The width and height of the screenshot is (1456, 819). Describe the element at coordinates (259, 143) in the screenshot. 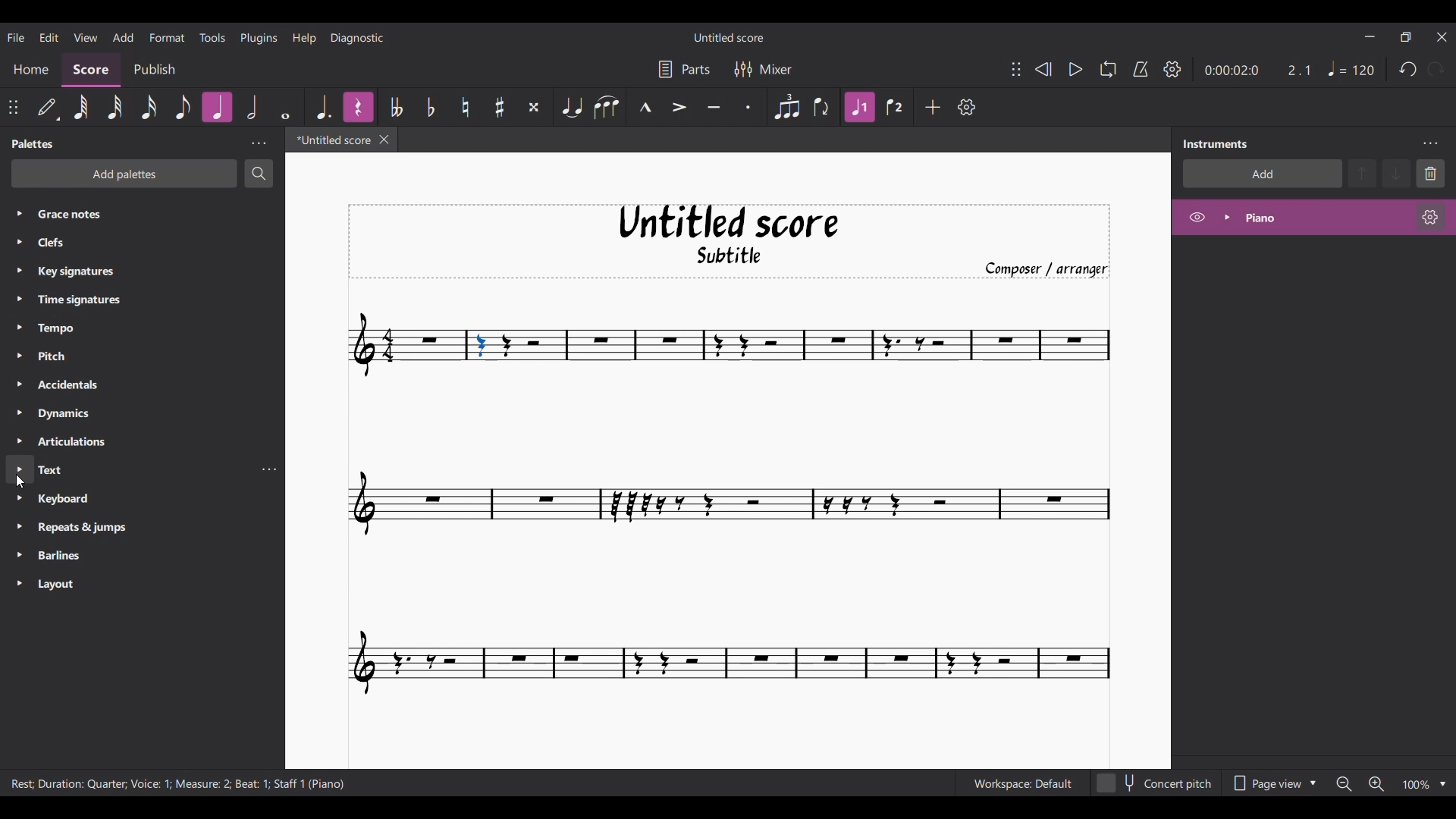

I see `Palette settings` at that location.